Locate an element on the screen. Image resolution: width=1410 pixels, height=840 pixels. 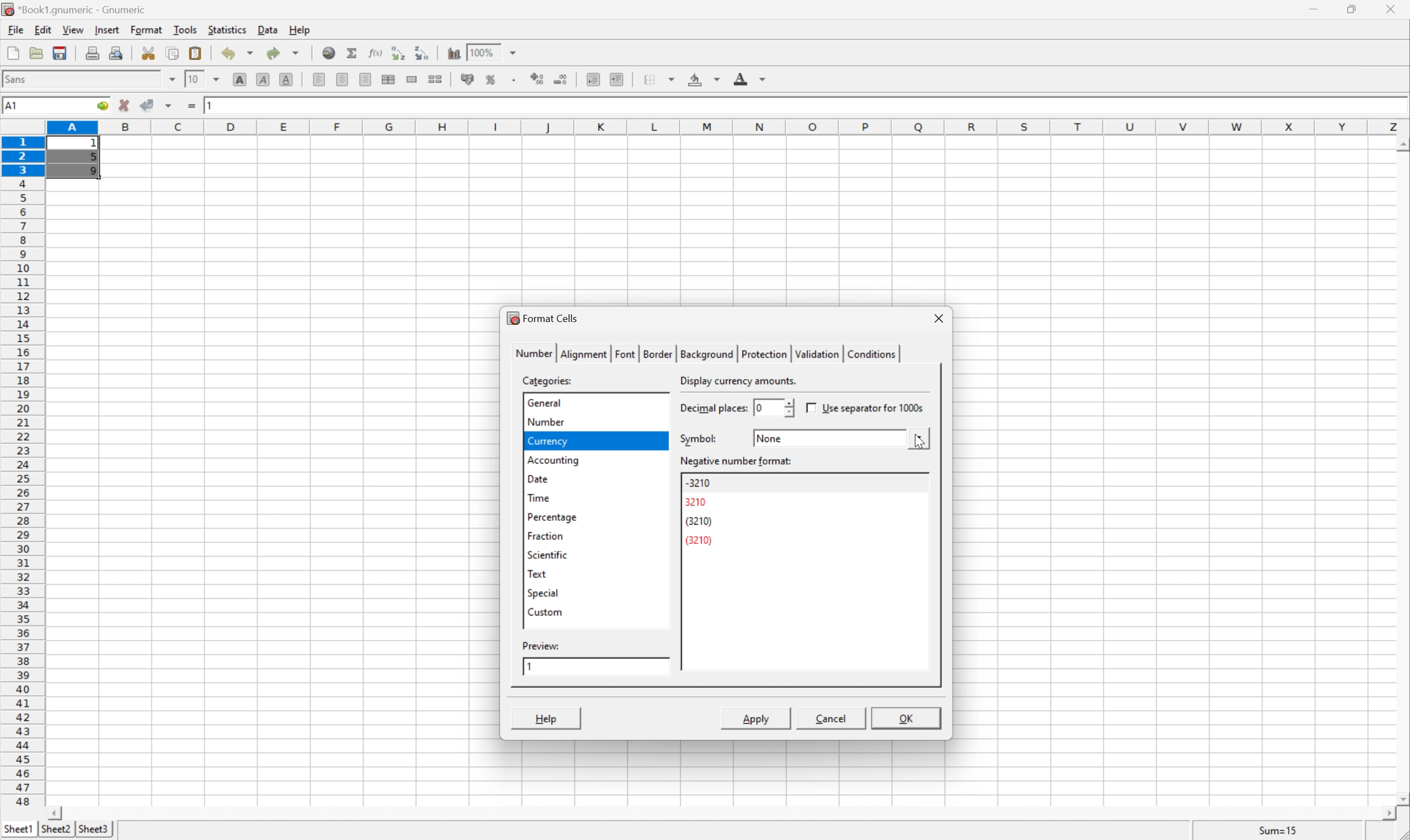
background is located at coordinates (704, 78).